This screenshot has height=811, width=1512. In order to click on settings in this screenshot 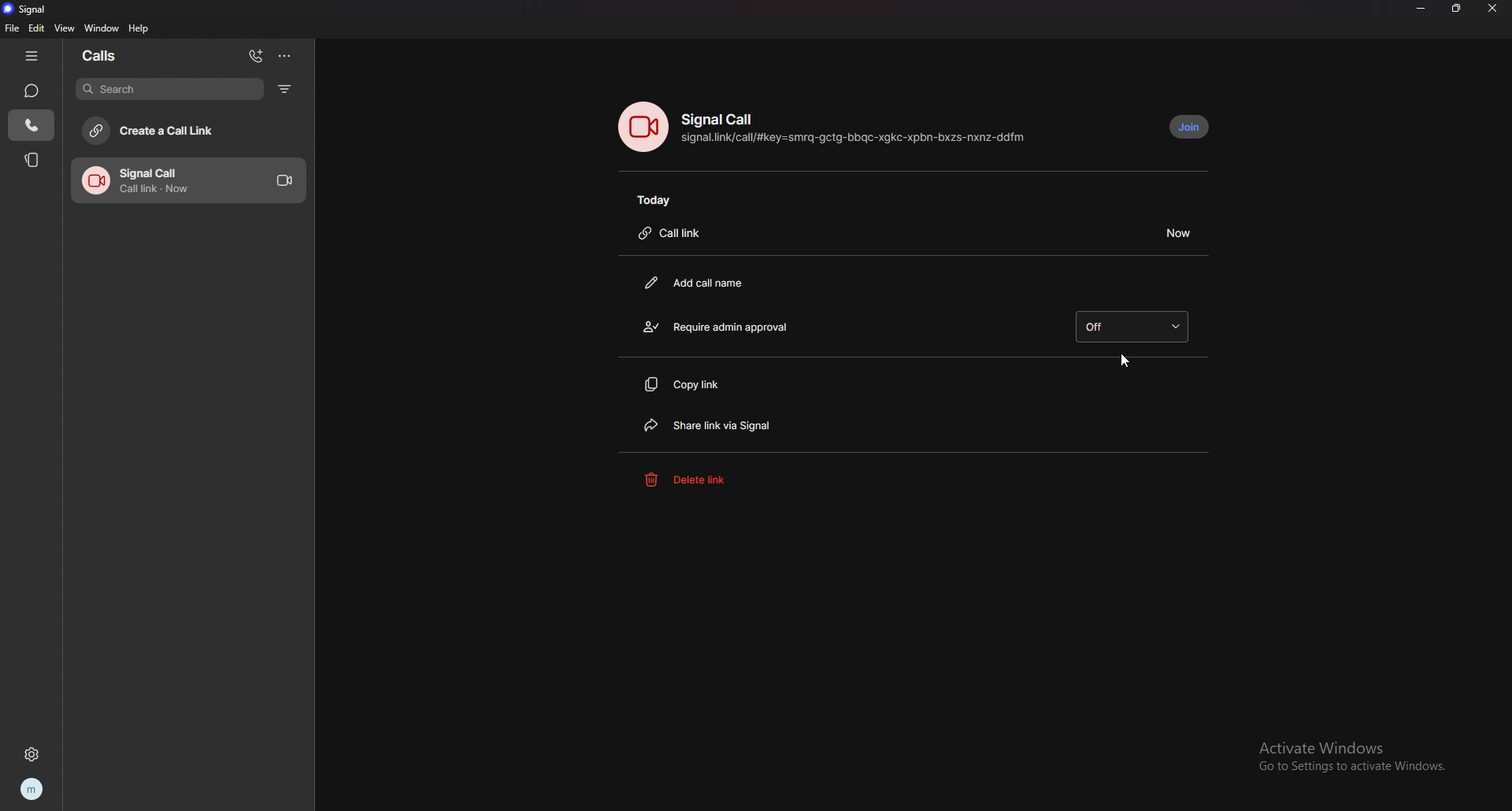, I will do `click(31, 754)`.